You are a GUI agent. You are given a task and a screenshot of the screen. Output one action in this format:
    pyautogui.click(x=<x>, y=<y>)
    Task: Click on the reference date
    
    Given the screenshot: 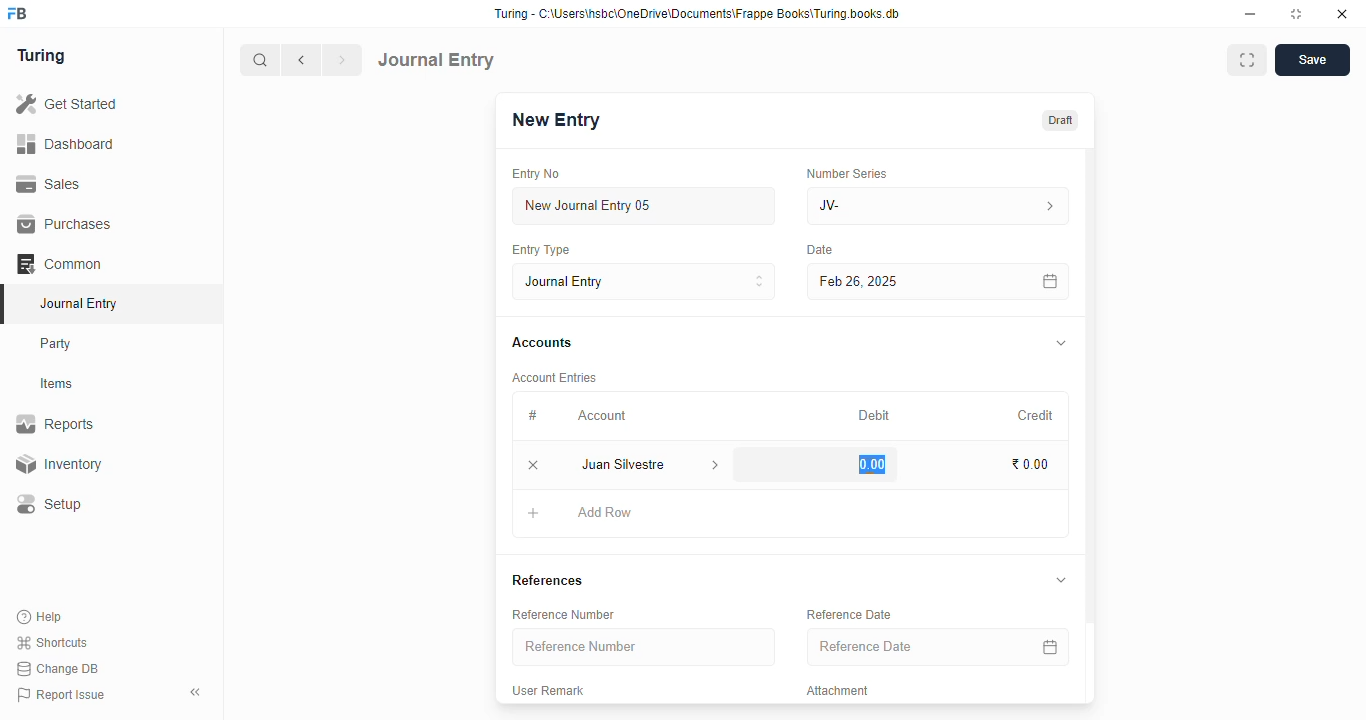 What is the action you would take?
    pyautogui.click(x=848, y=615)
    